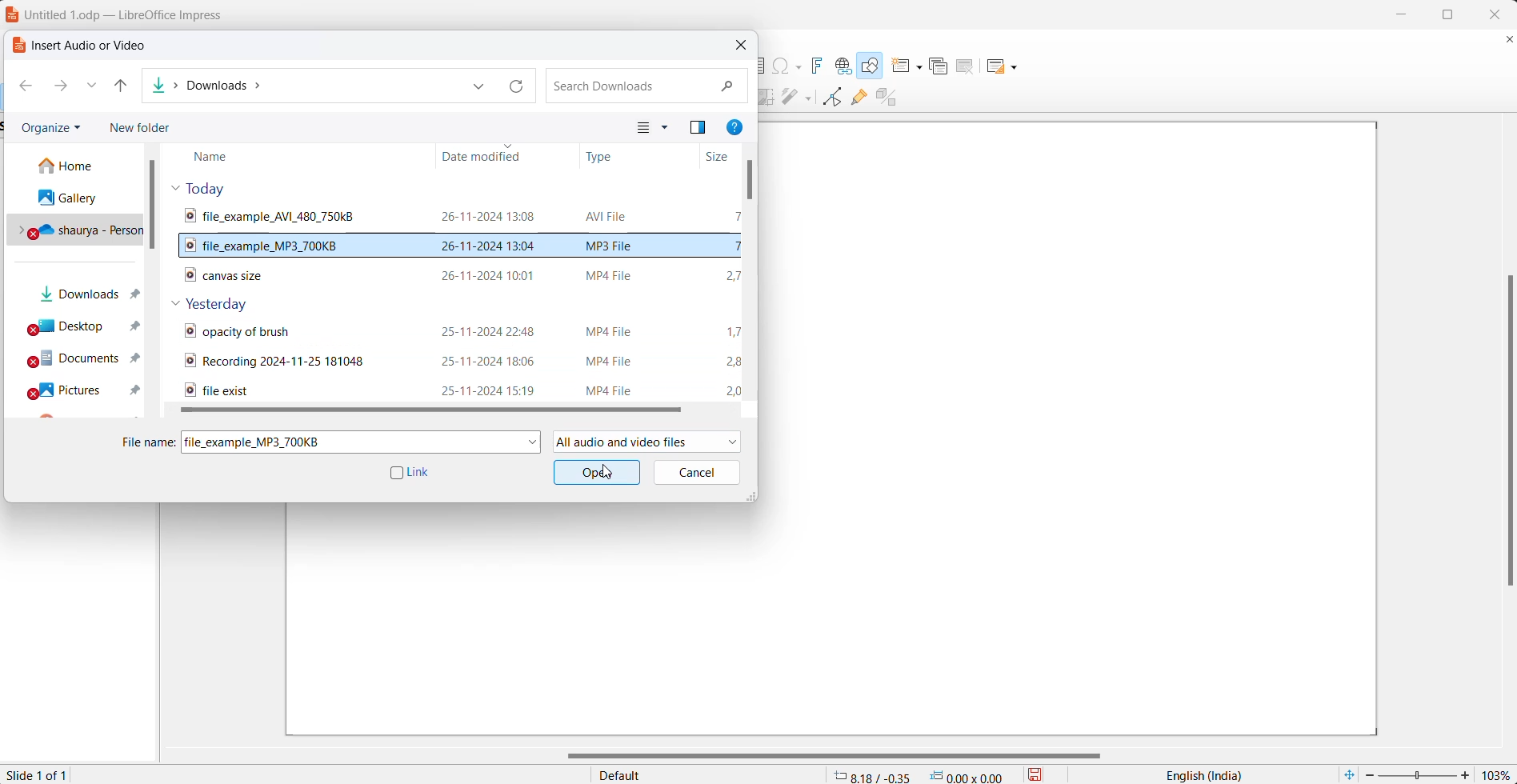 The width and height of the screenshot is (1517, 784). What do you see at coordinates (1043, 774) in the screenshot?
I see `save` at bounding box center [1043, 774].